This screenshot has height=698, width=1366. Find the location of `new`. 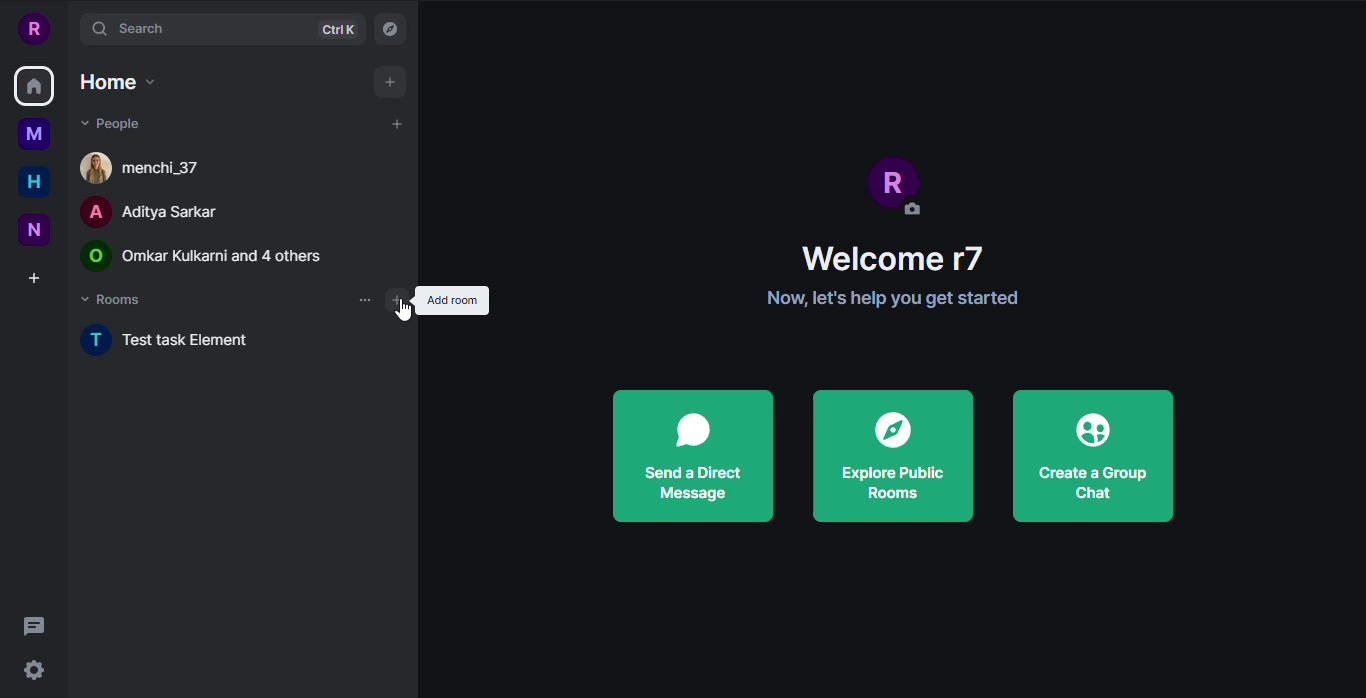

new is located at coordinates (35, 229).